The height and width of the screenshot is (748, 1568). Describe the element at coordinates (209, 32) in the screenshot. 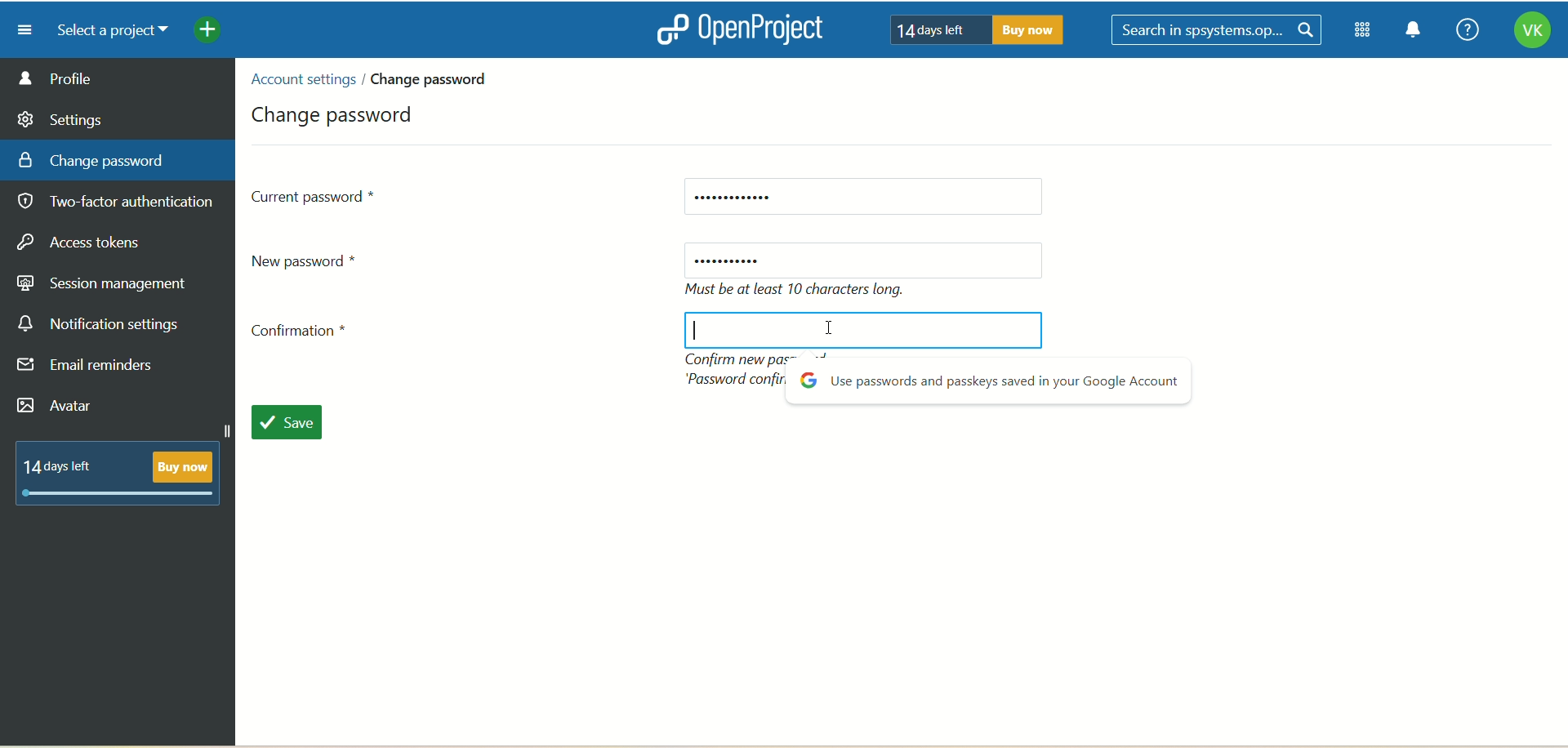

I see `add menu` at that location.